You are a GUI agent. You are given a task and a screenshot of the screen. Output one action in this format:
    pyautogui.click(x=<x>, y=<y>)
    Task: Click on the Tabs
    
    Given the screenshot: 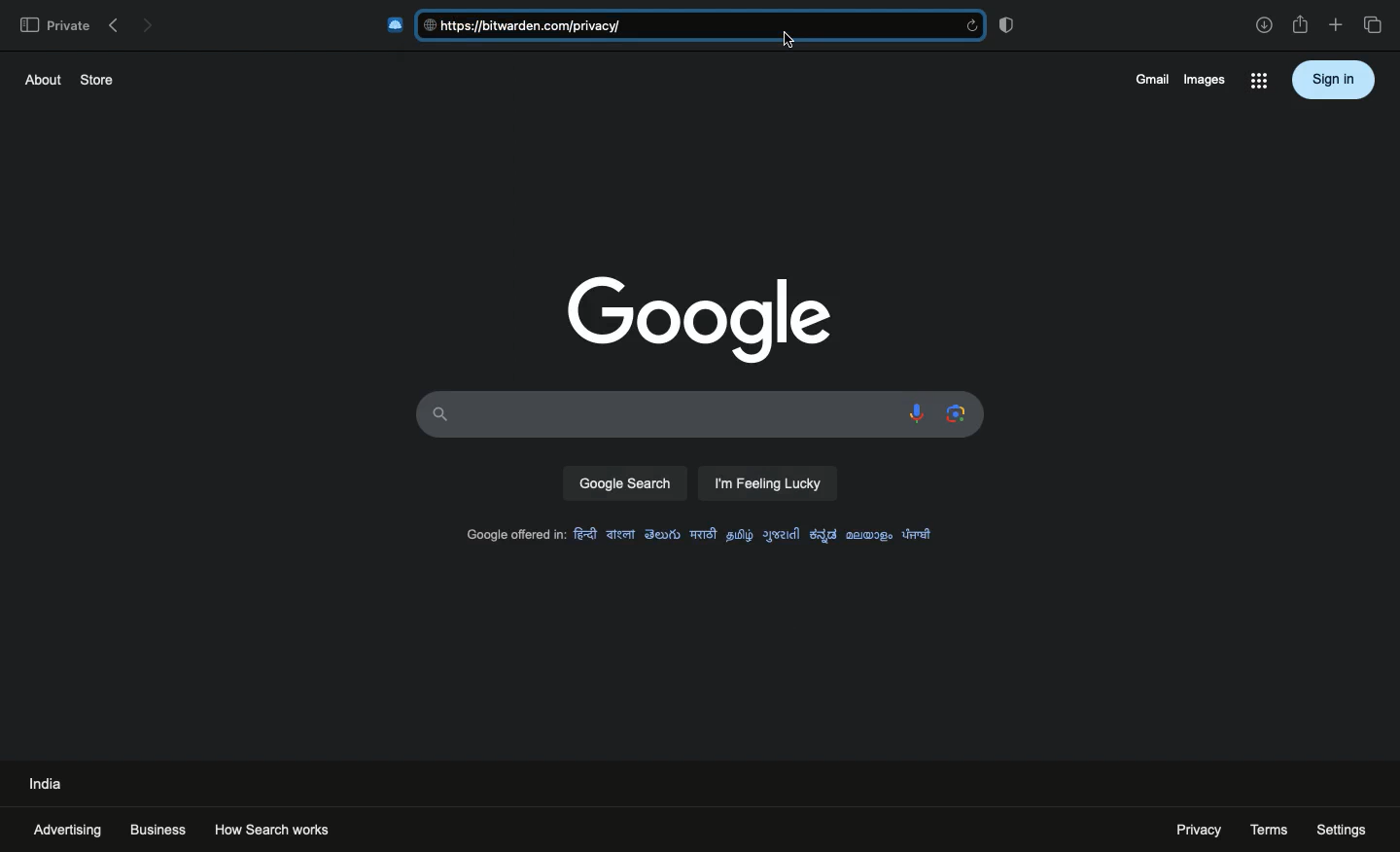 What is the action you would take?
    pyautogui.click(x=1376, y=25)
    